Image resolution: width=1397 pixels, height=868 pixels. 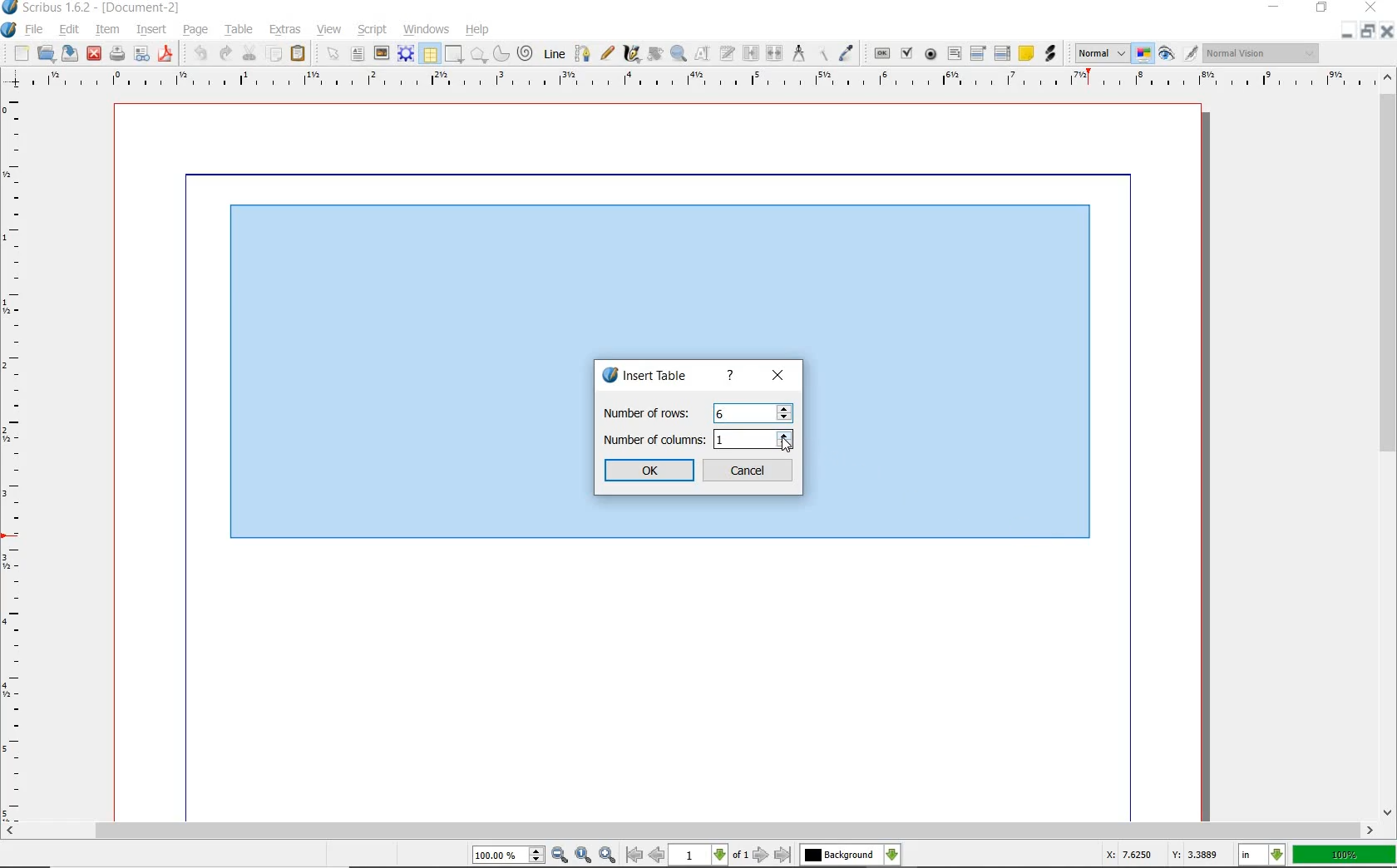 What do you see at coordinates (823, 56) in the screenshot?
I see `copy item properties` at bounding box center [823, 56].